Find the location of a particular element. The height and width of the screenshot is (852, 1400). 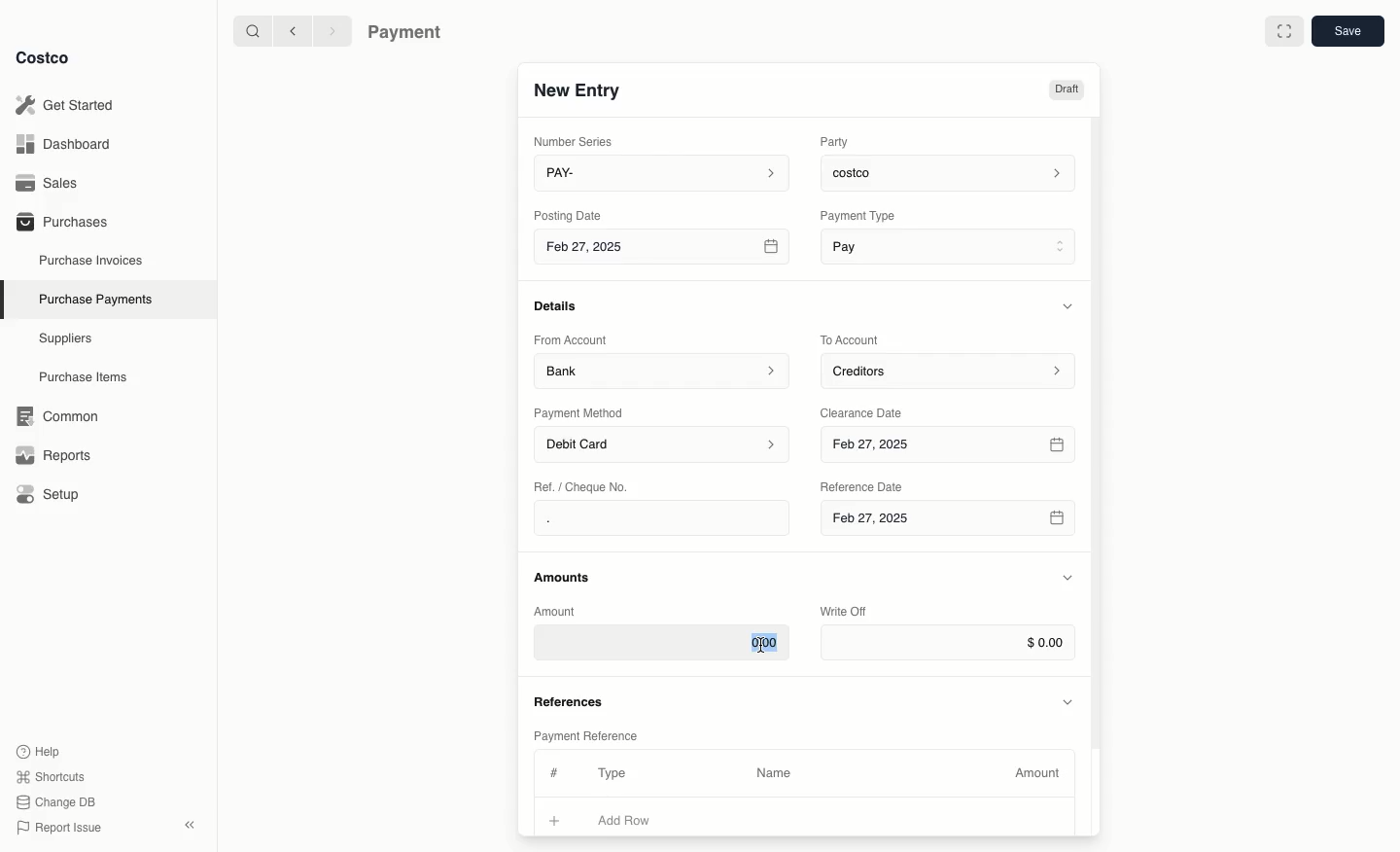

Clearance Date is located at coordinates (868, 411).